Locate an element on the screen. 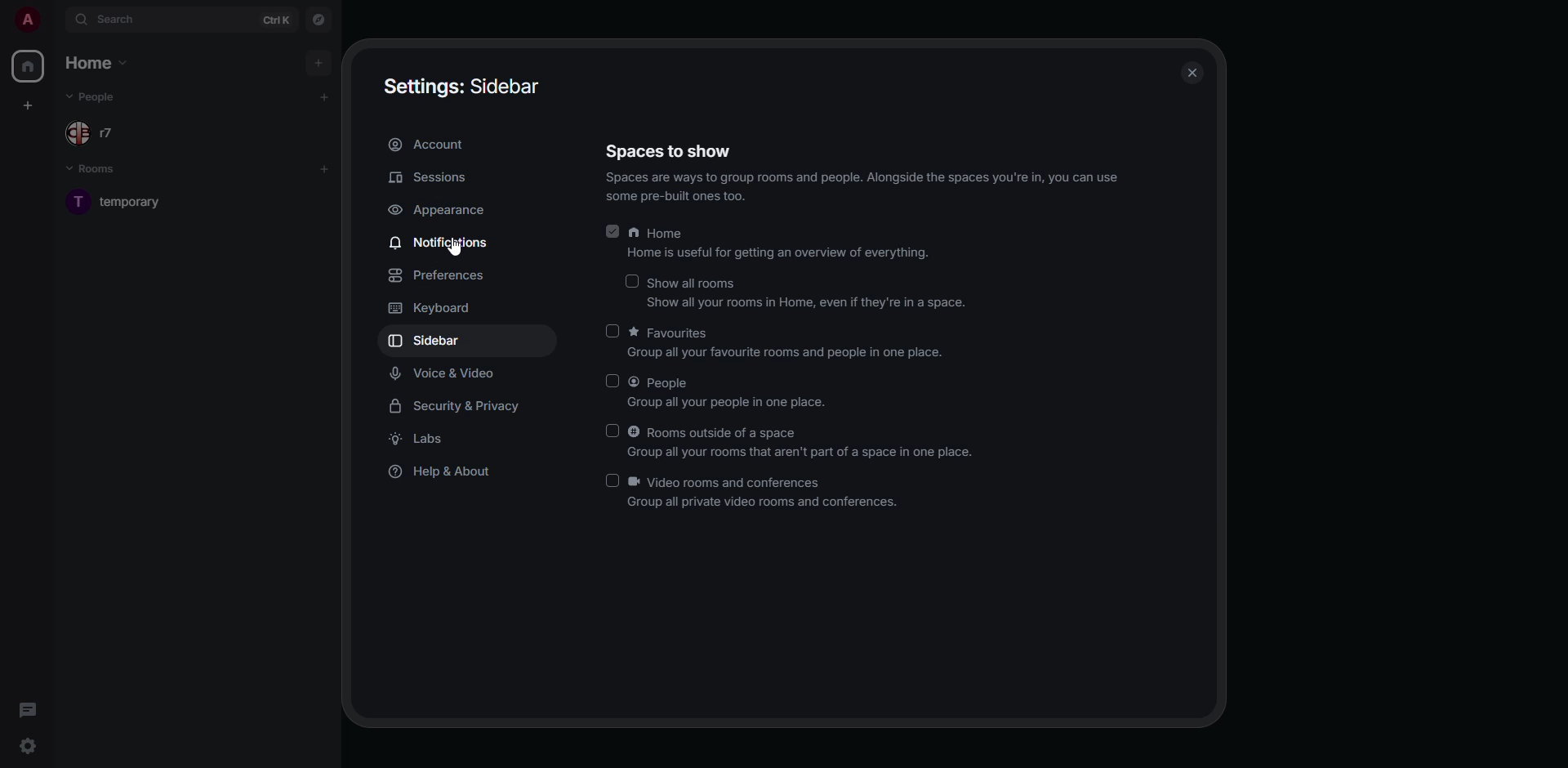  show all rooms is located at coordinates (809, 295).